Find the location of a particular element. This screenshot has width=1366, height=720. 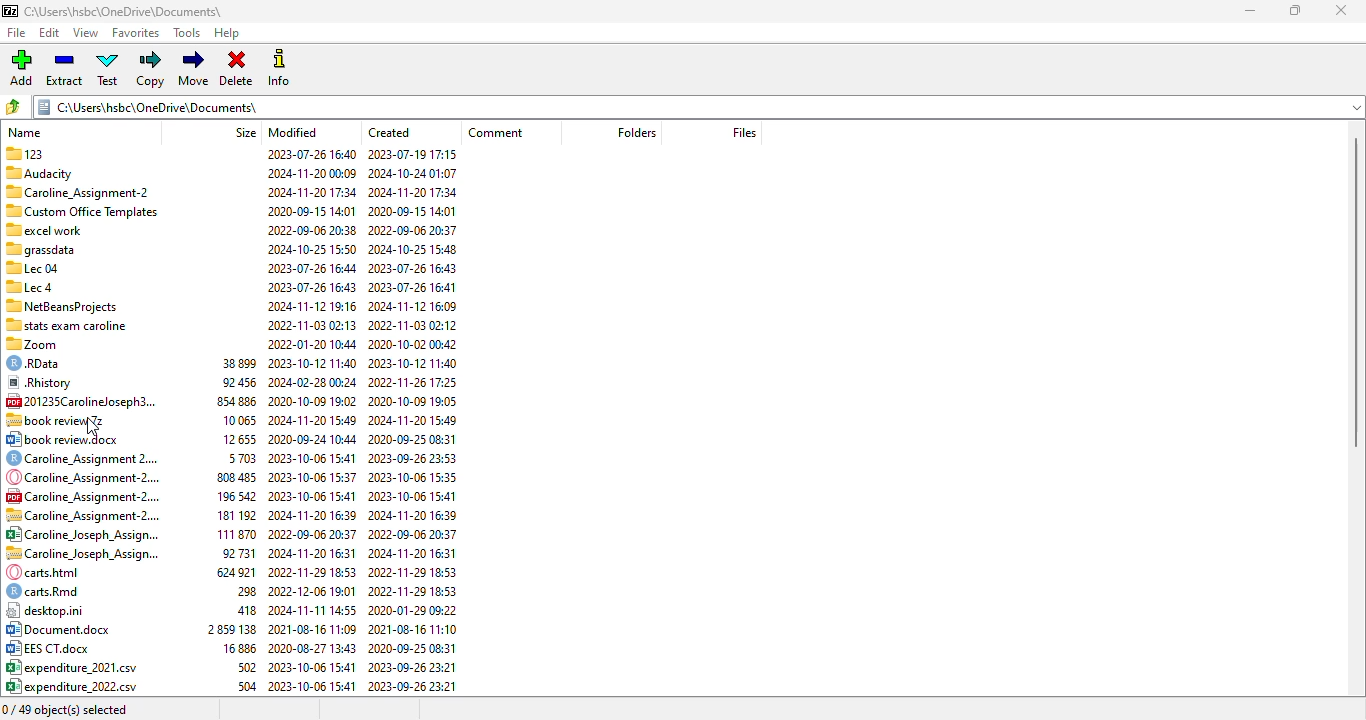

folder is located at coordinates (635, 132).